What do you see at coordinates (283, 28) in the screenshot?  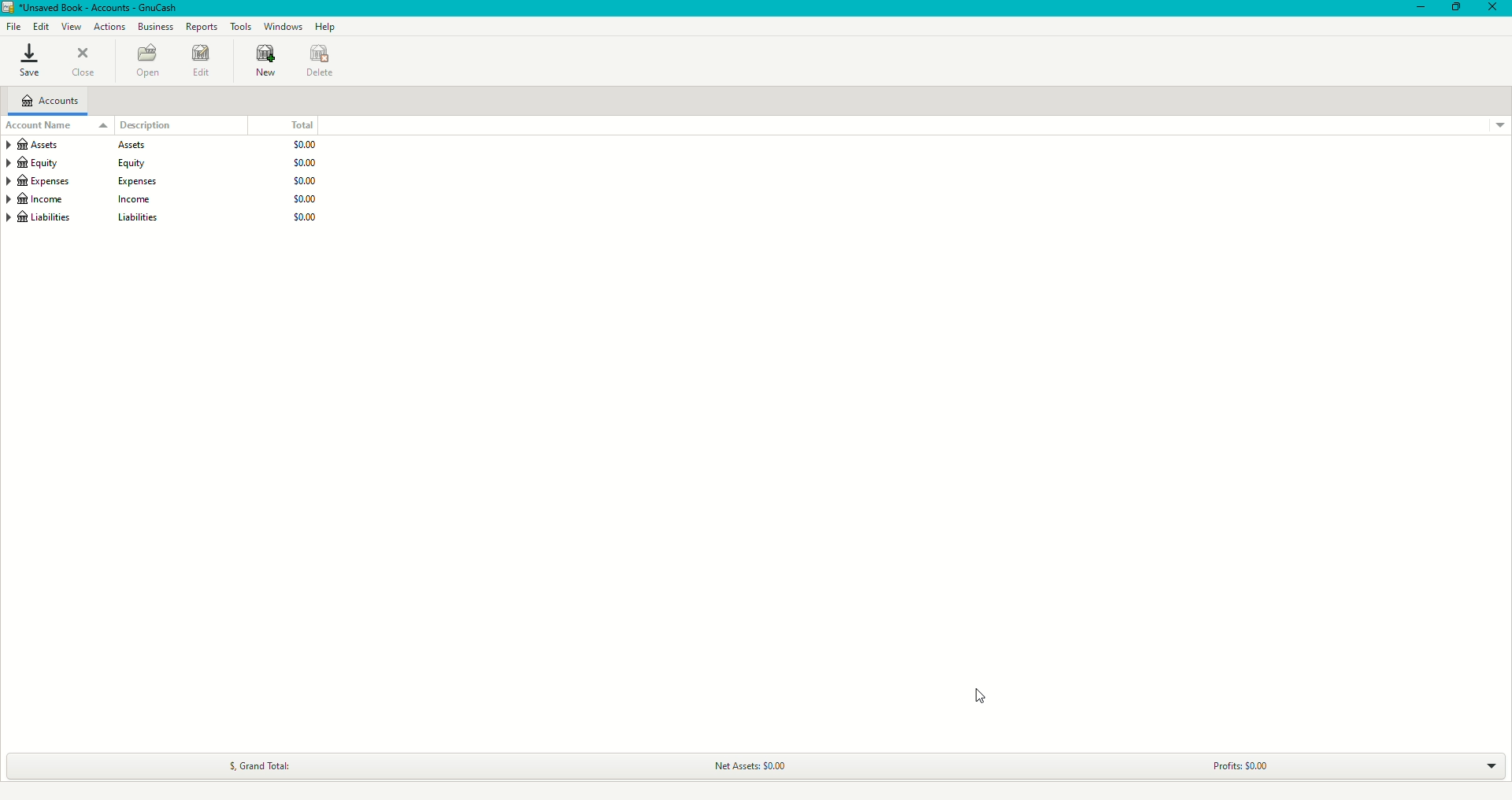 I see `Windows` at bounding box center [283, 28].